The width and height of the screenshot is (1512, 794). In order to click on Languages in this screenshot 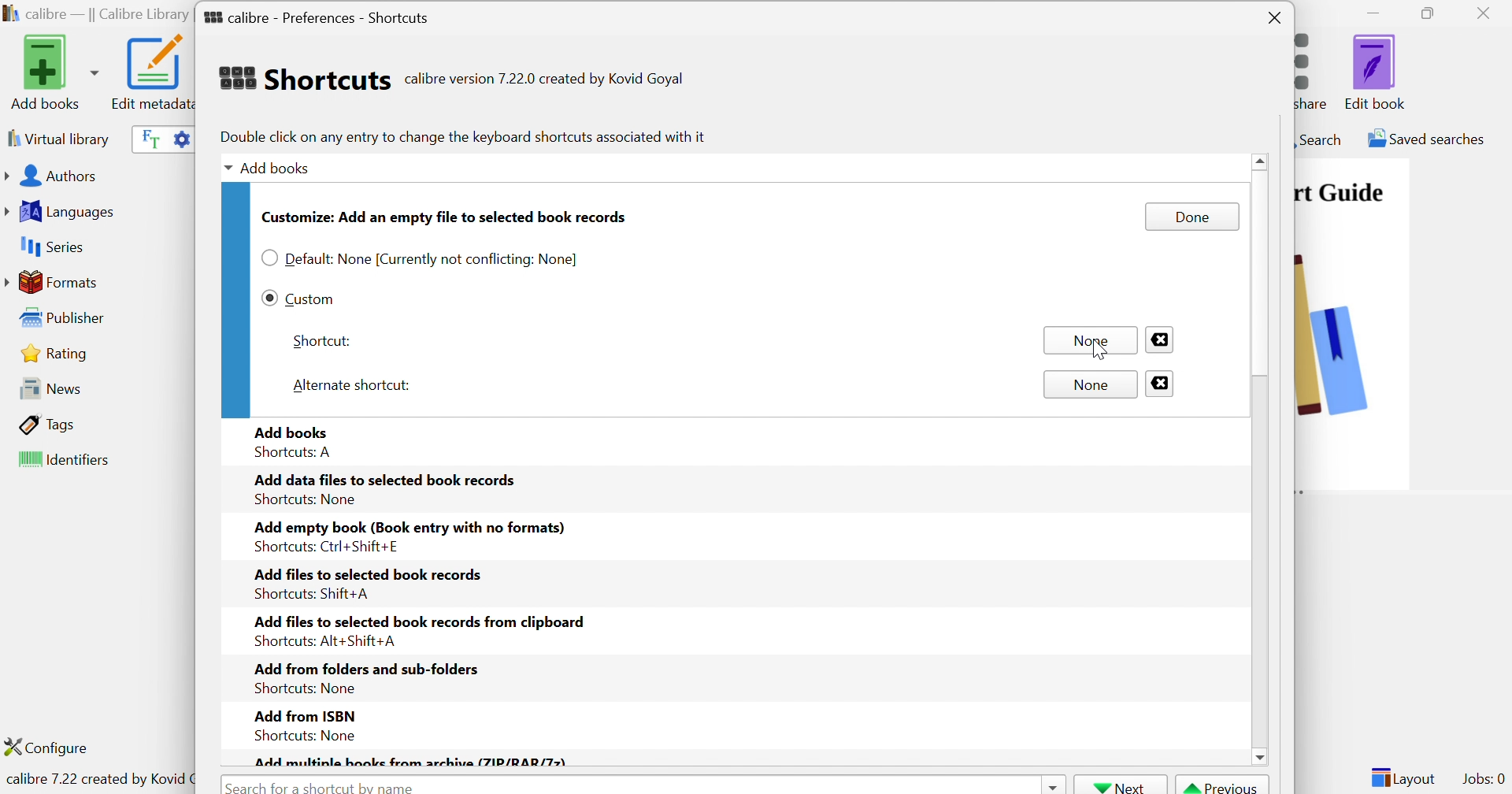, I will do `click(62, 212)`.